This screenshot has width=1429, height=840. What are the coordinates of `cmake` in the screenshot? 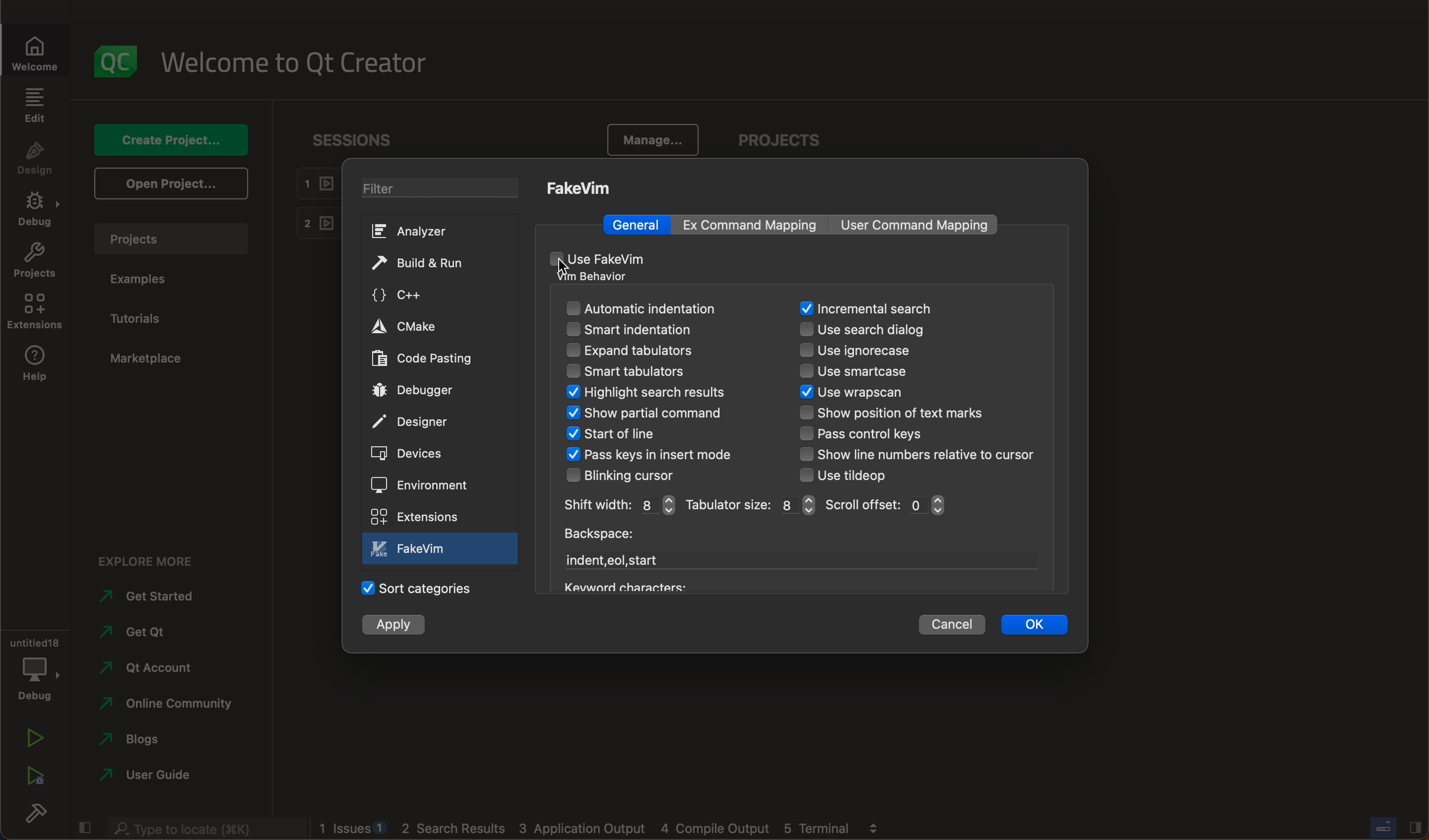 It's located at (427, 328).